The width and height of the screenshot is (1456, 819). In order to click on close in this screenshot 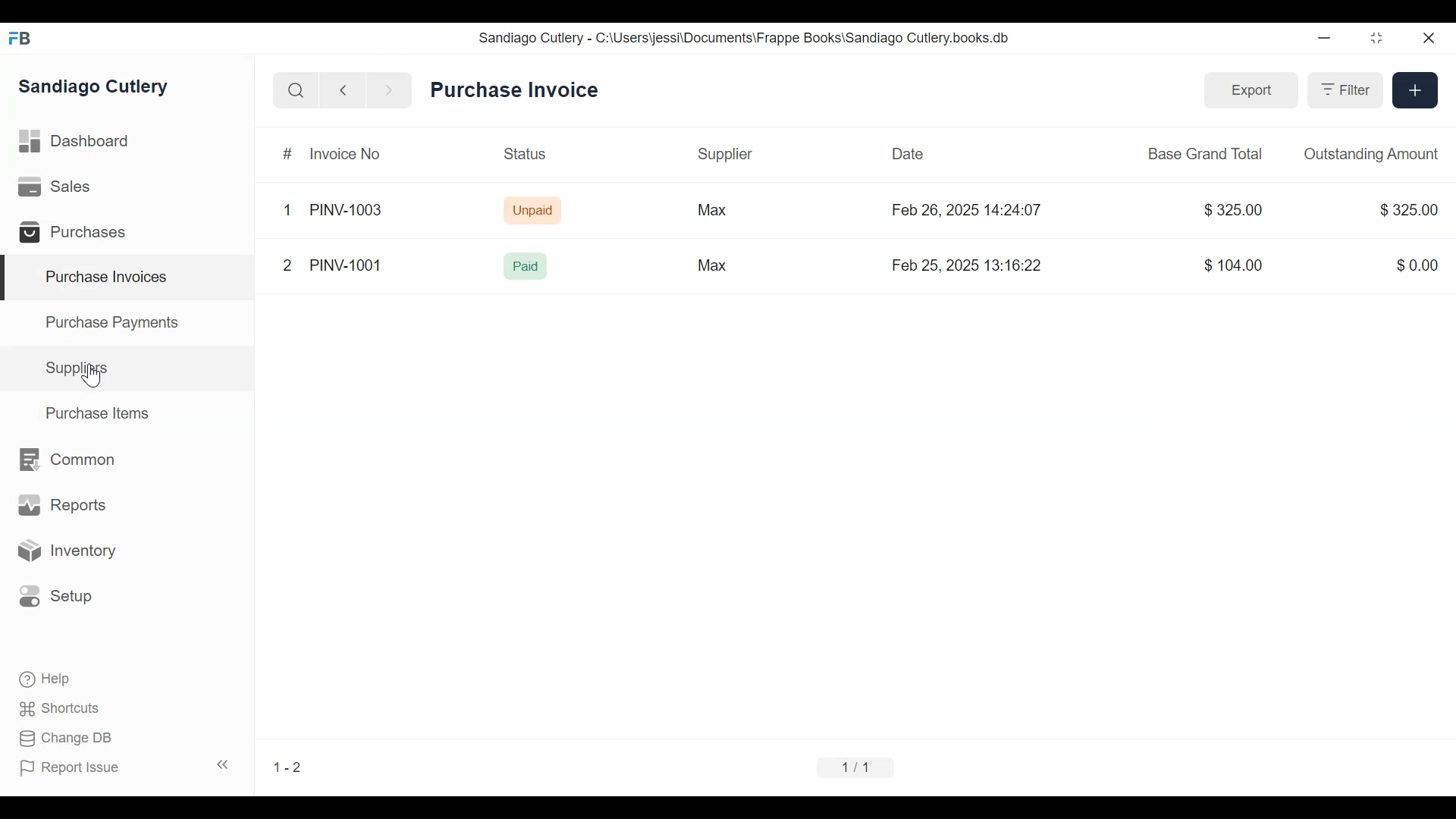, I will do `click(1430, 41)`.